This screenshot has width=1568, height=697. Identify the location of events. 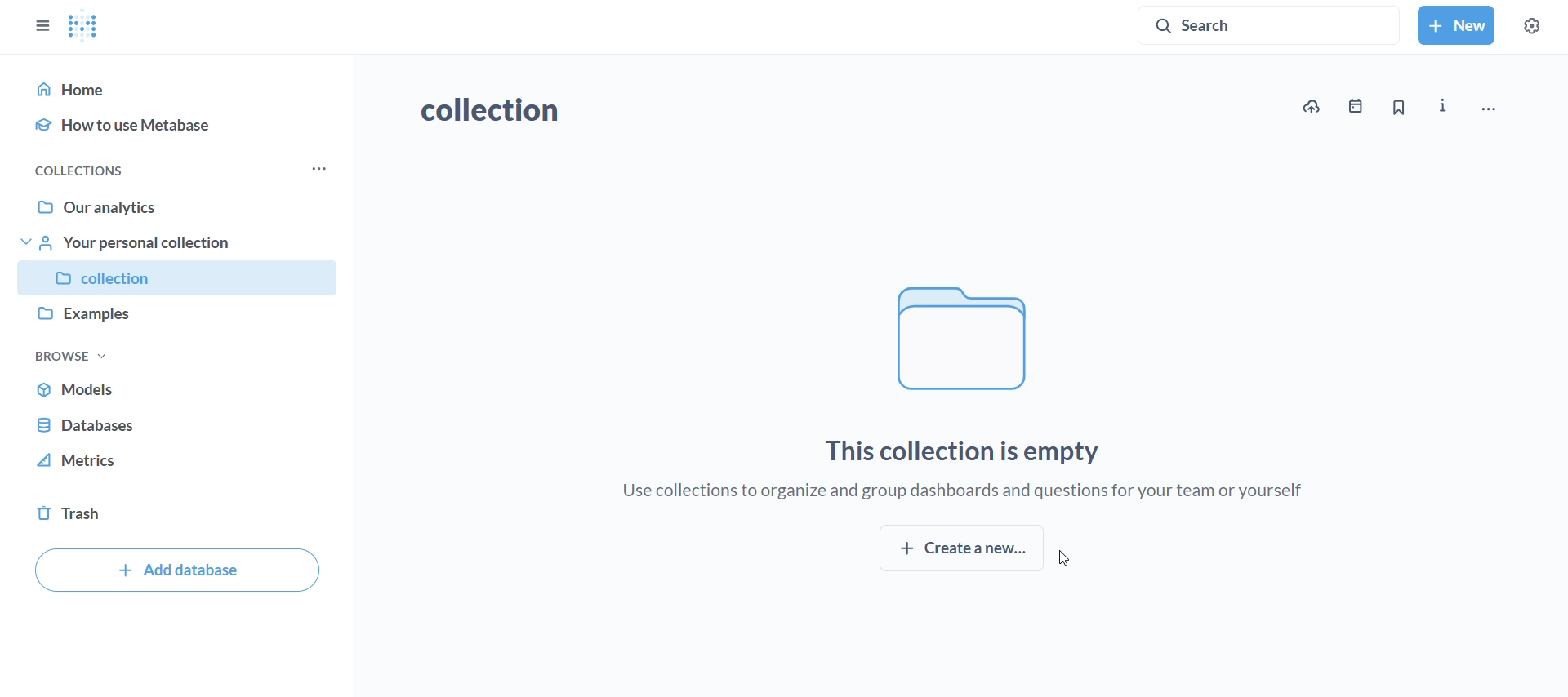
(1359, 105).